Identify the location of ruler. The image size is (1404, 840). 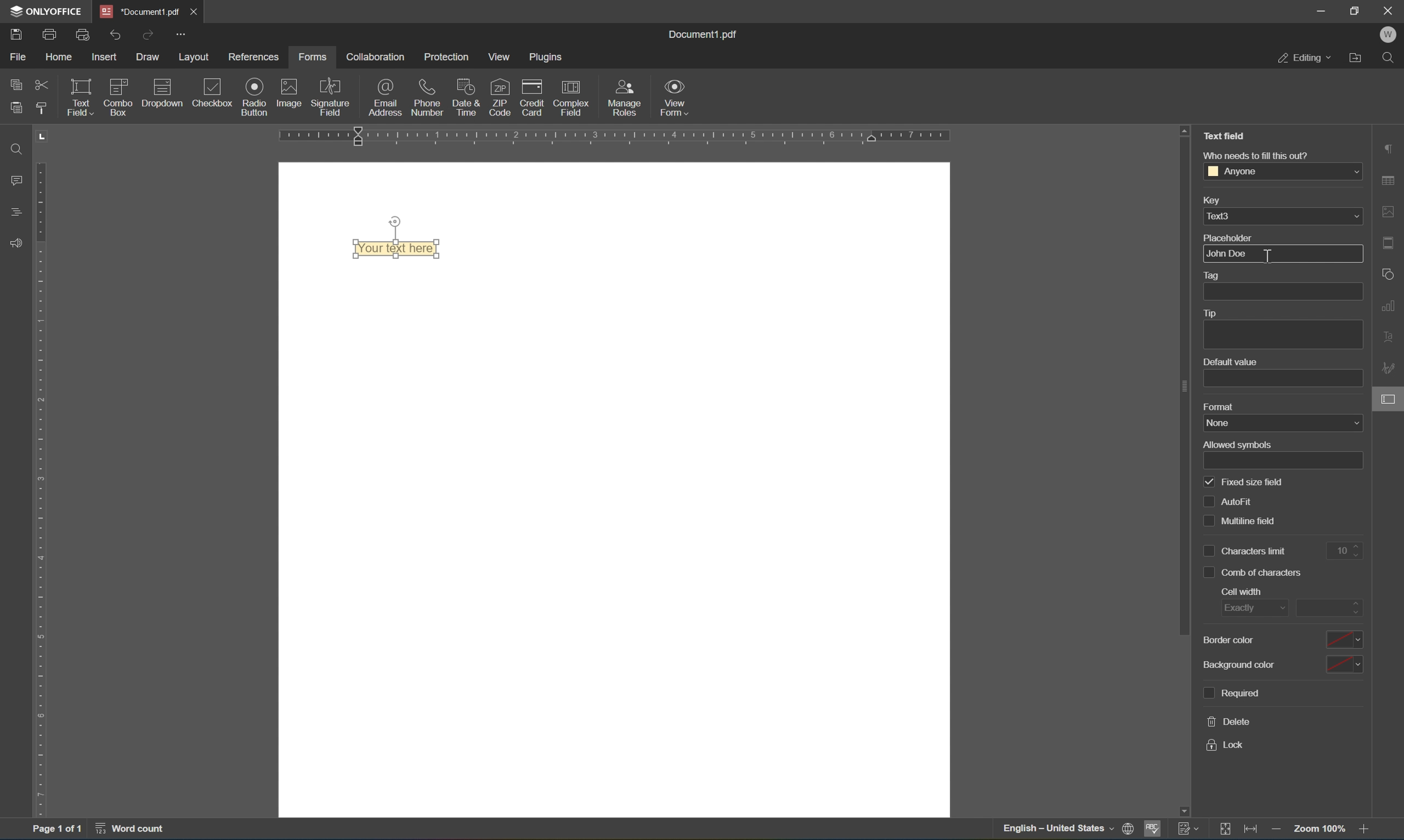
(608, 138).